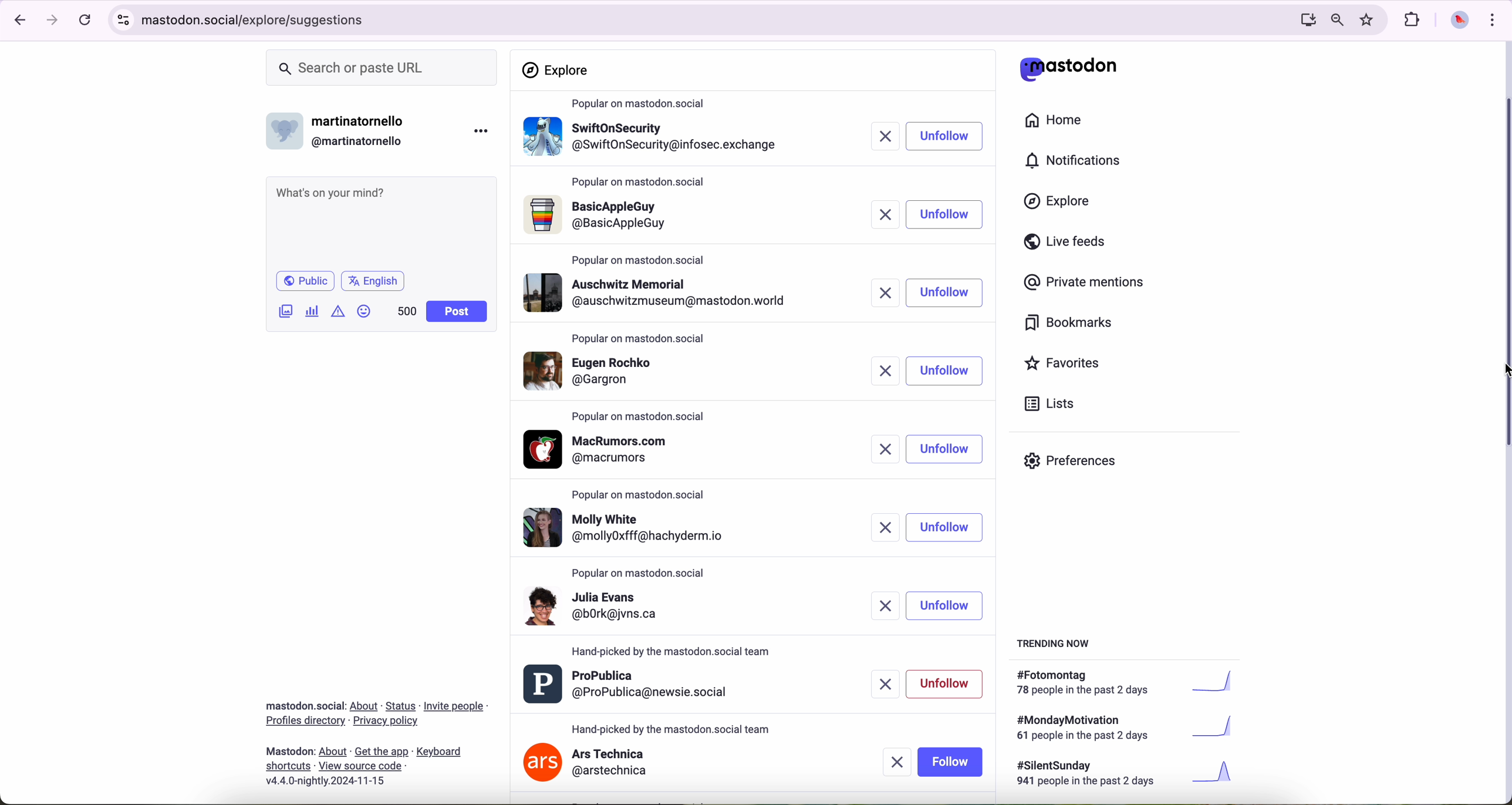  I want to click on profile, so click(603, 449).